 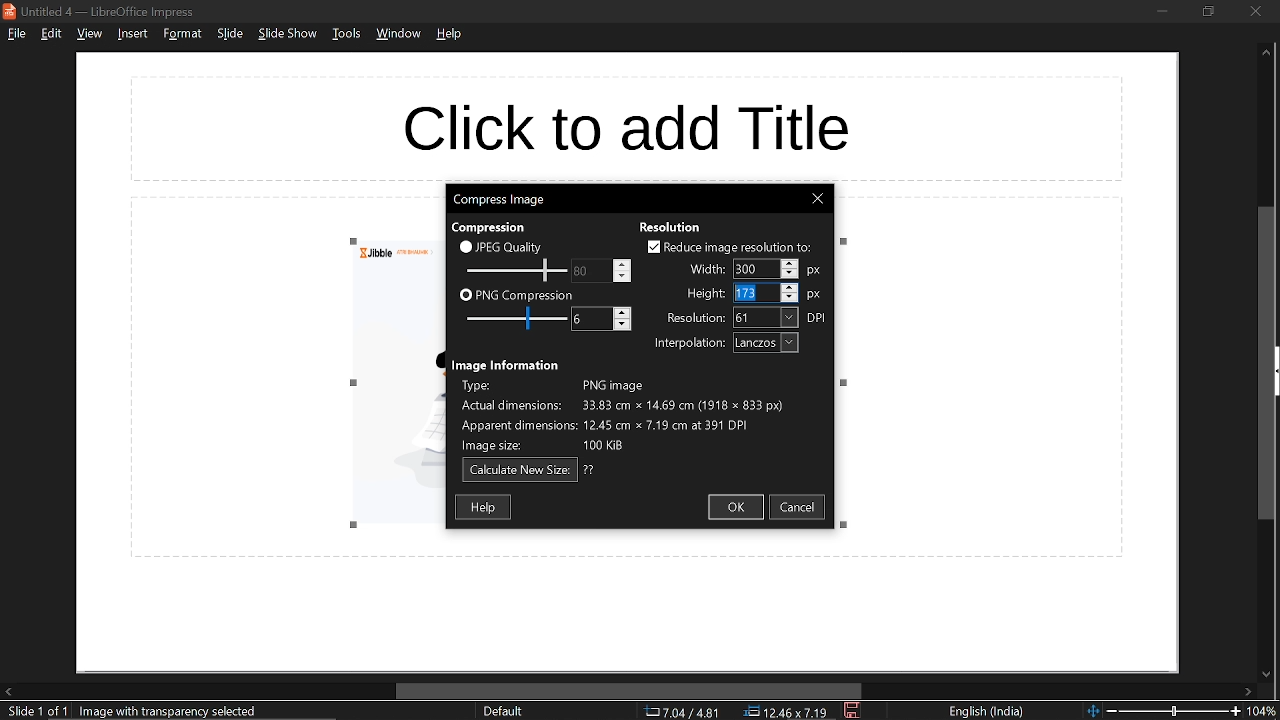 I want to click on tools, so click(x=345, y=37).